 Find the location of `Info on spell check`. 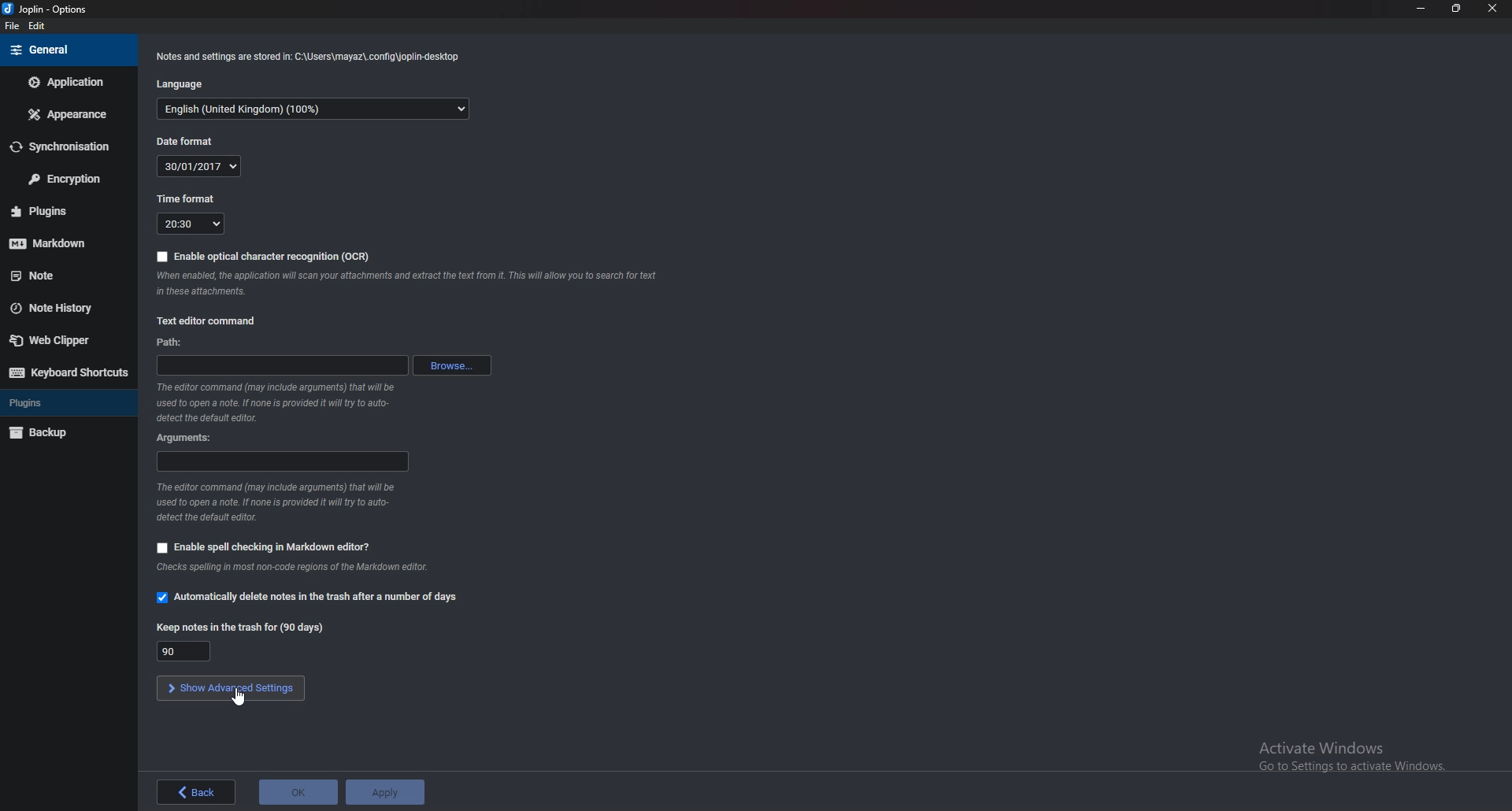

Info on spell check is located at coordinates (295, 567).